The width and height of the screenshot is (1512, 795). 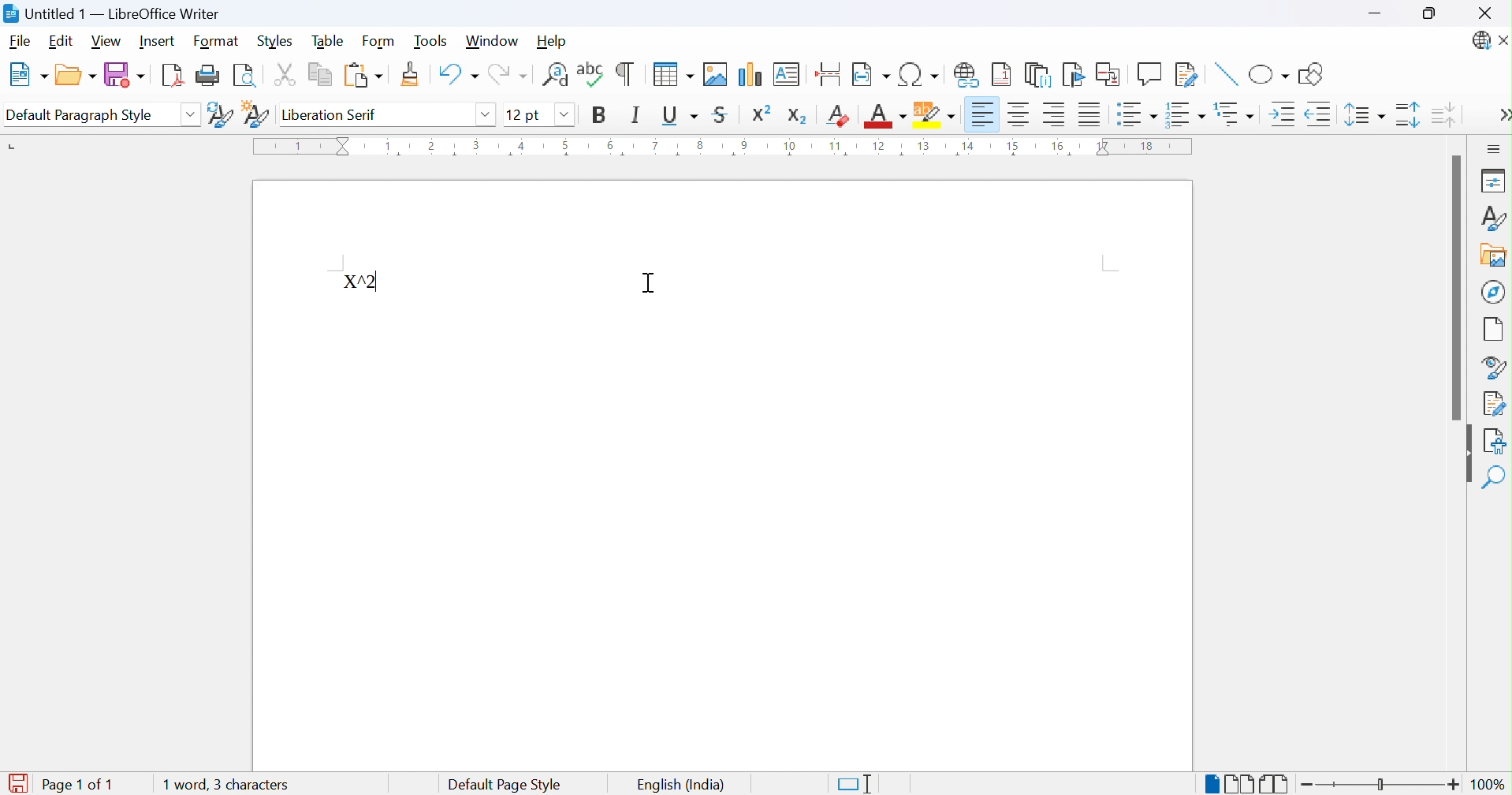 What do you see at coordinates (1492, 291) in the screenshot?
I see `Navigator` at bounding box center [1492, 291].